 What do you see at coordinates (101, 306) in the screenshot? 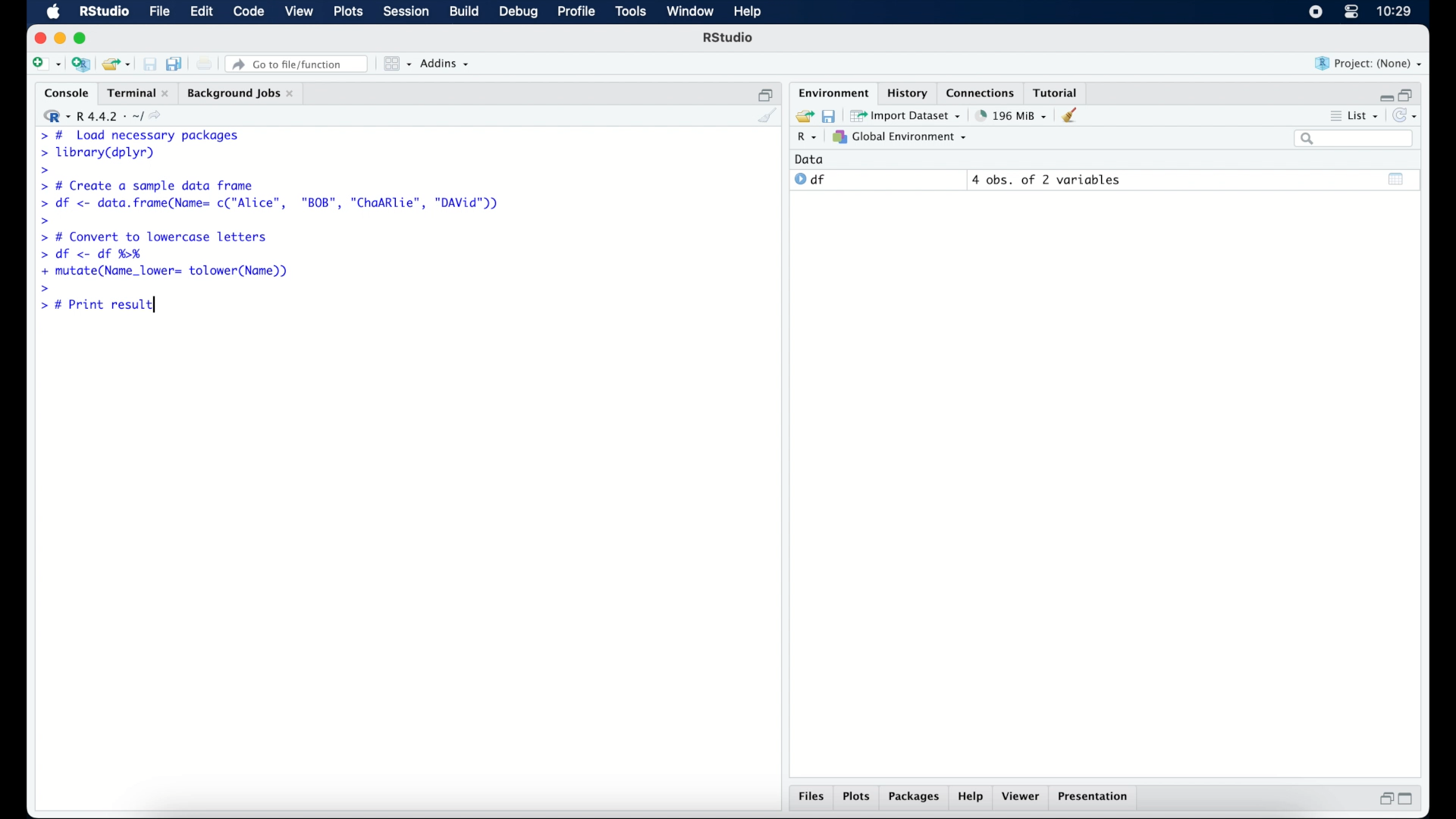
I see `> # Print result` at bounding box center [101, 306].